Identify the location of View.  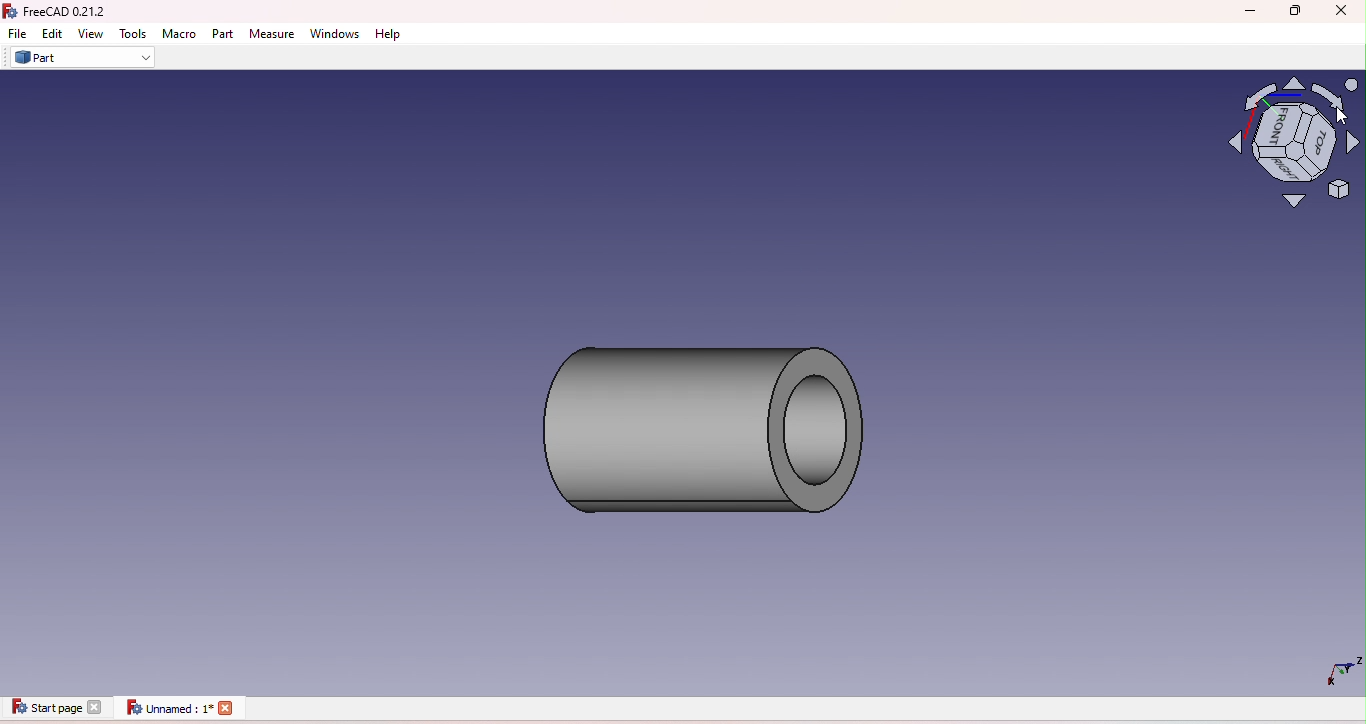
(92, 33).